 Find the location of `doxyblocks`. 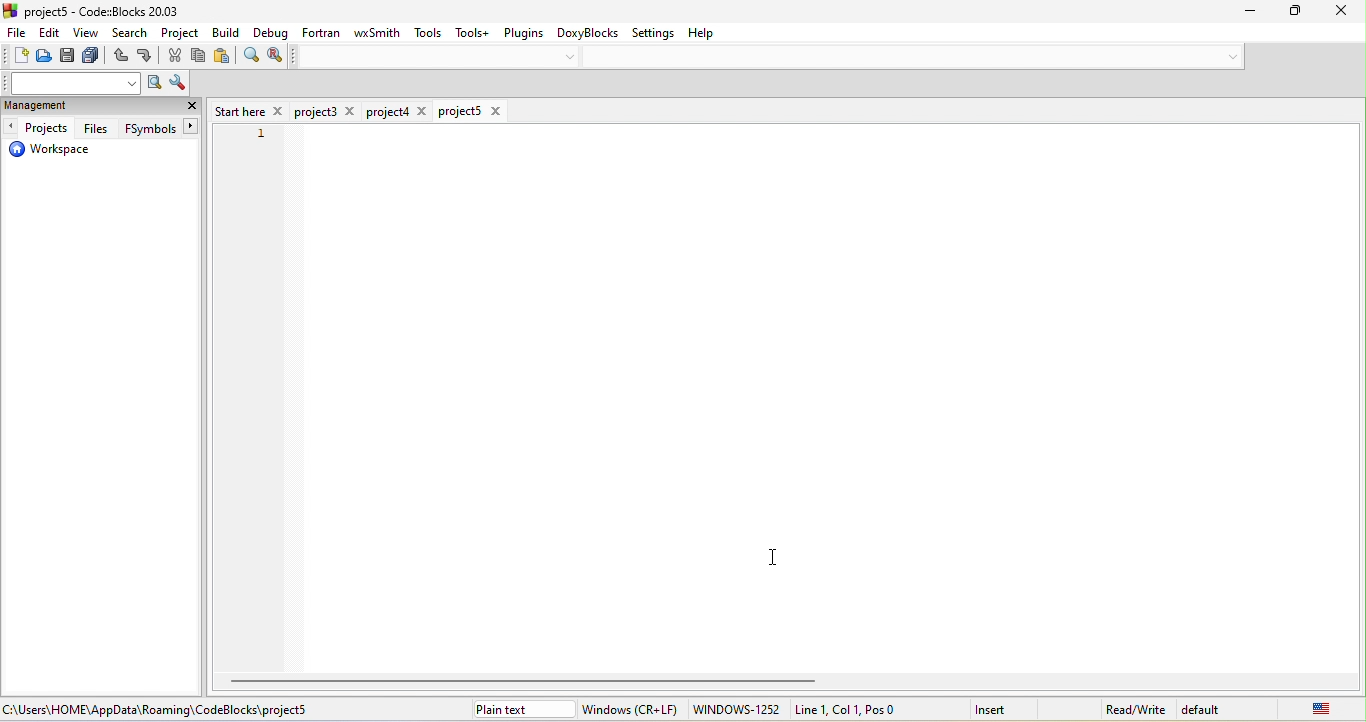

doxyblocks is located at coordinates (588, 31).